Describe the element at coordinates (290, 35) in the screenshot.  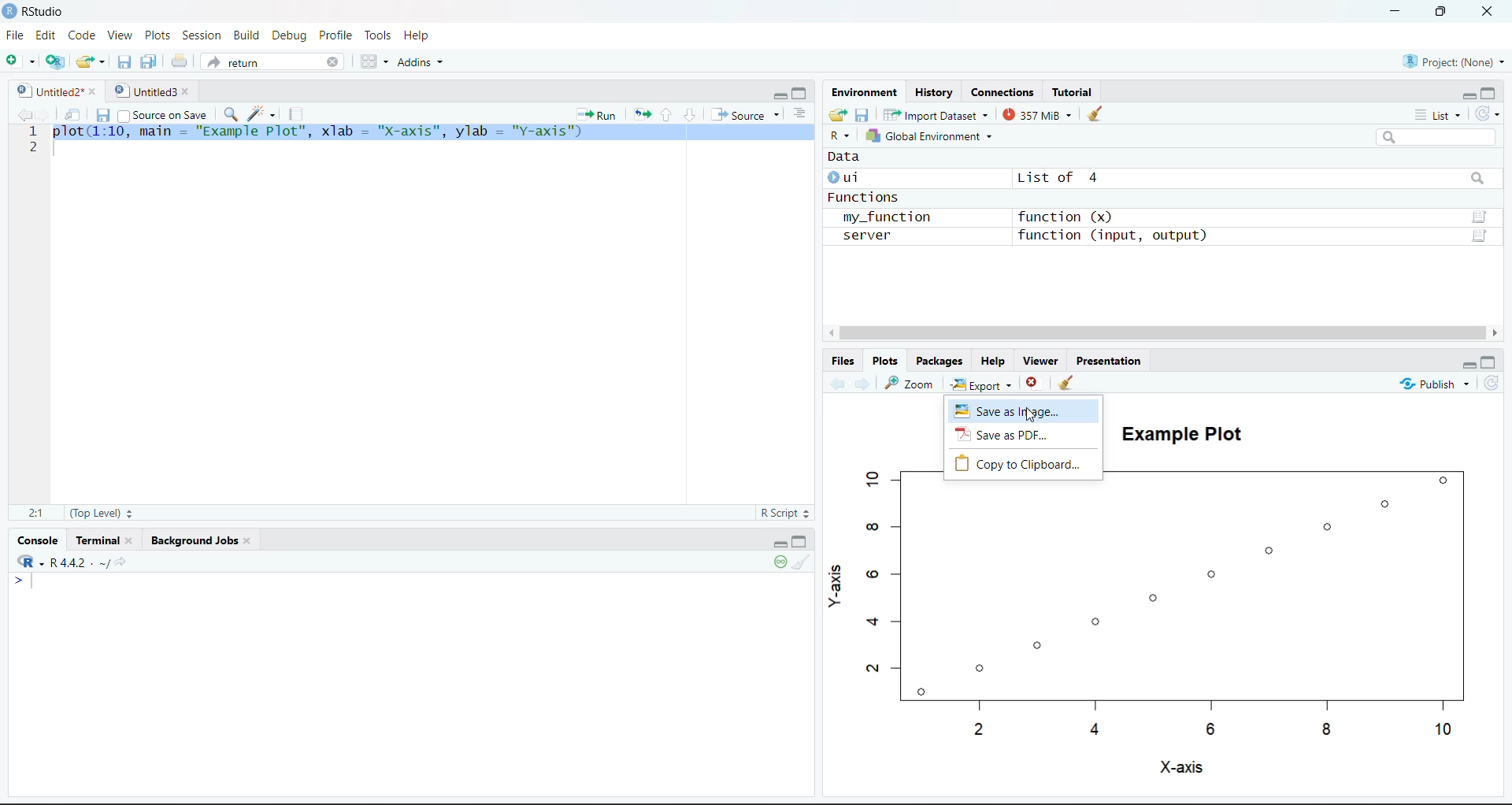
I see `Debug` at that location.